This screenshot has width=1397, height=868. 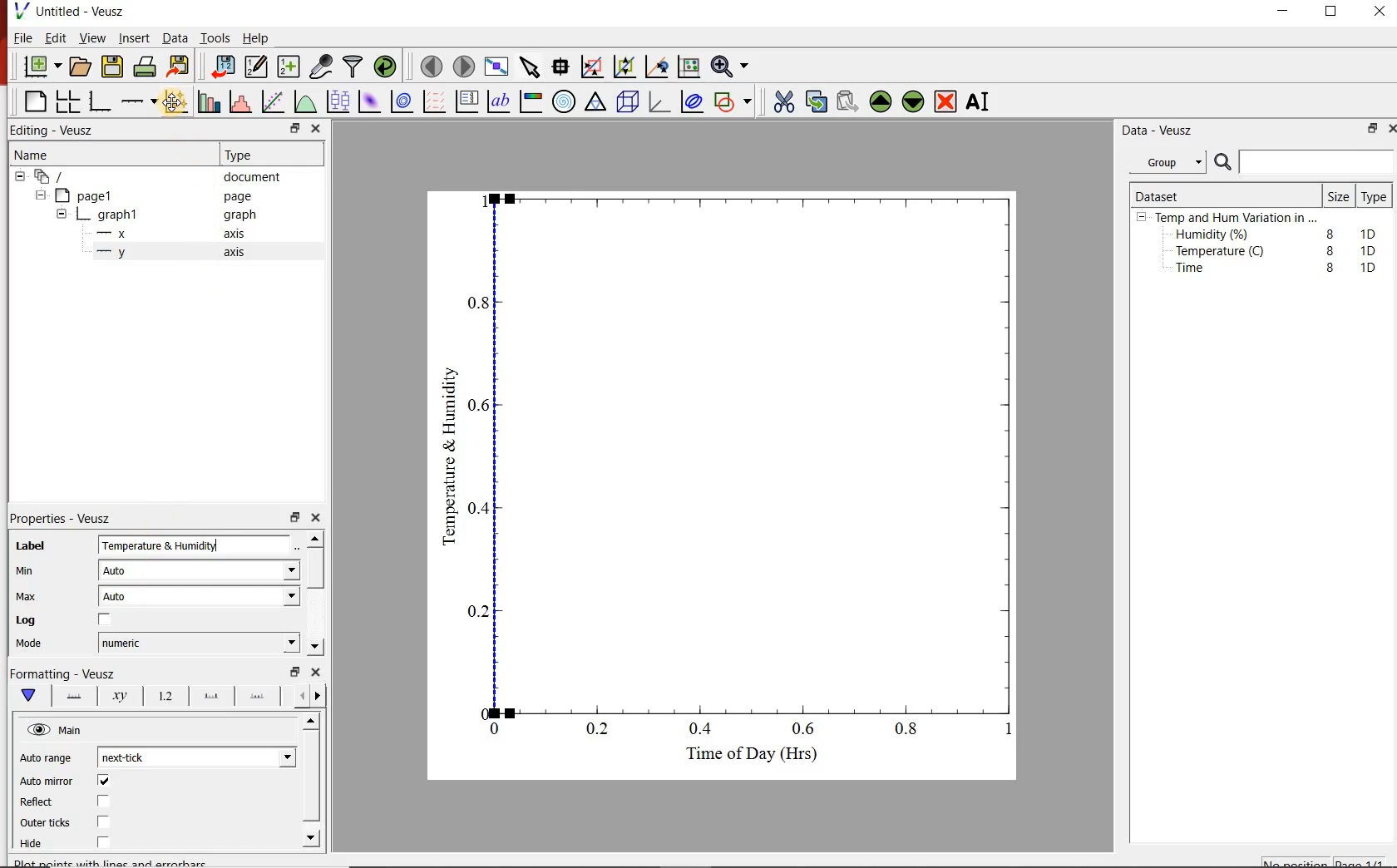 What do you see at coordinates (82, 732) in the screenshot?
I see `Main` at bounding box center [82, 732].